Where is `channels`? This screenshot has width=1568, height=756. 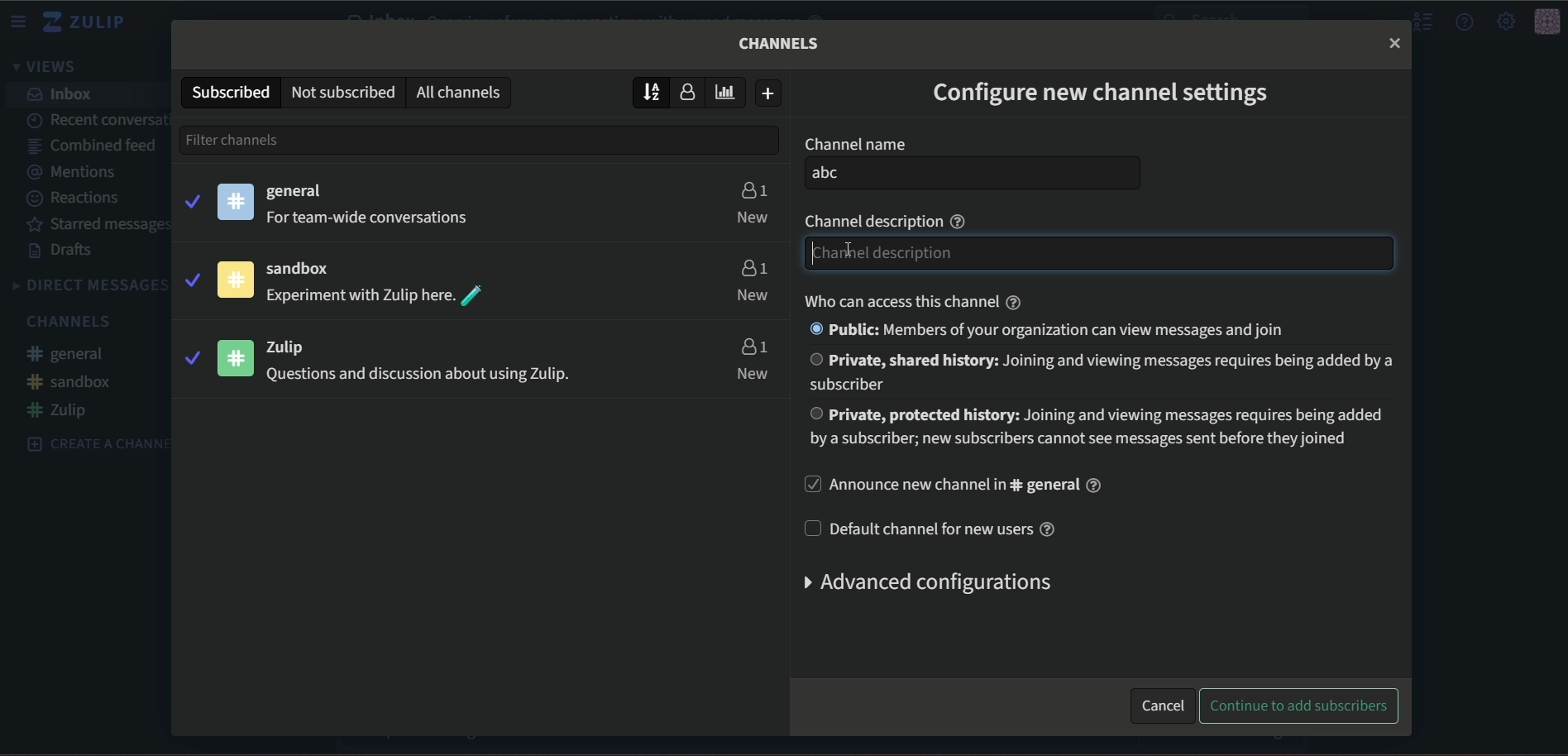 channels is located at coordinates (781, 43).